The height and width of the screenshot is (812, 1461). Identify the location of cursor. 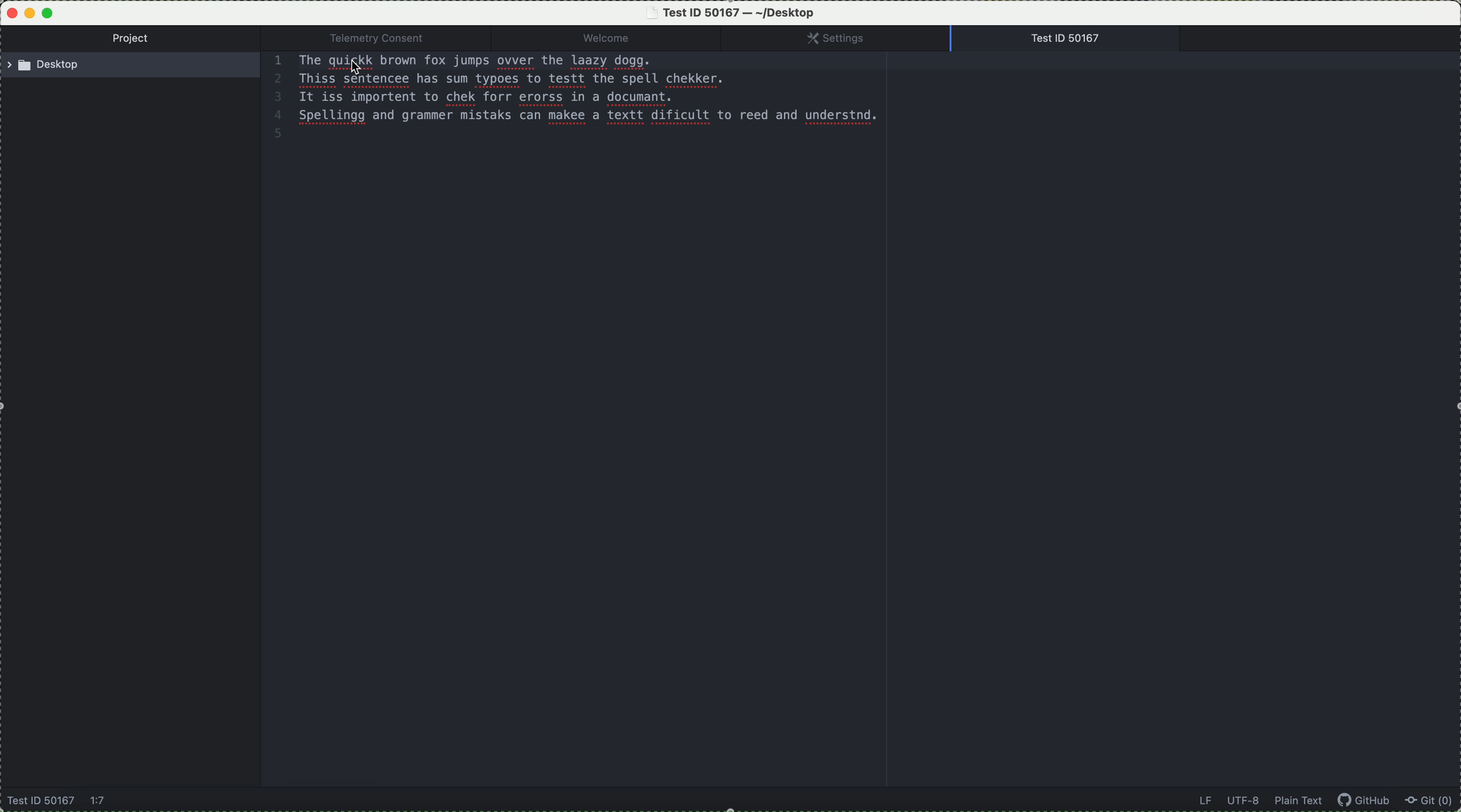
(354, 72).